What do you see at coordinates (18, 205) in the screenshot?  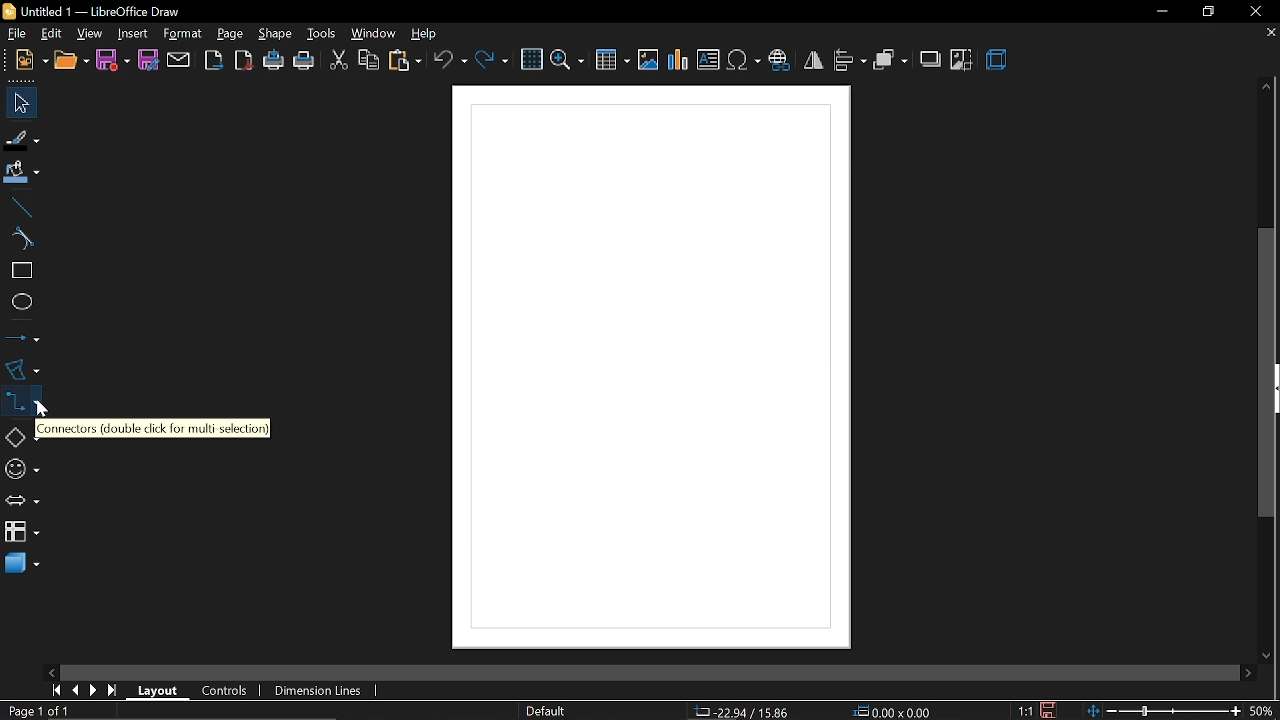 I see `line` at bounding box center [18, 205].